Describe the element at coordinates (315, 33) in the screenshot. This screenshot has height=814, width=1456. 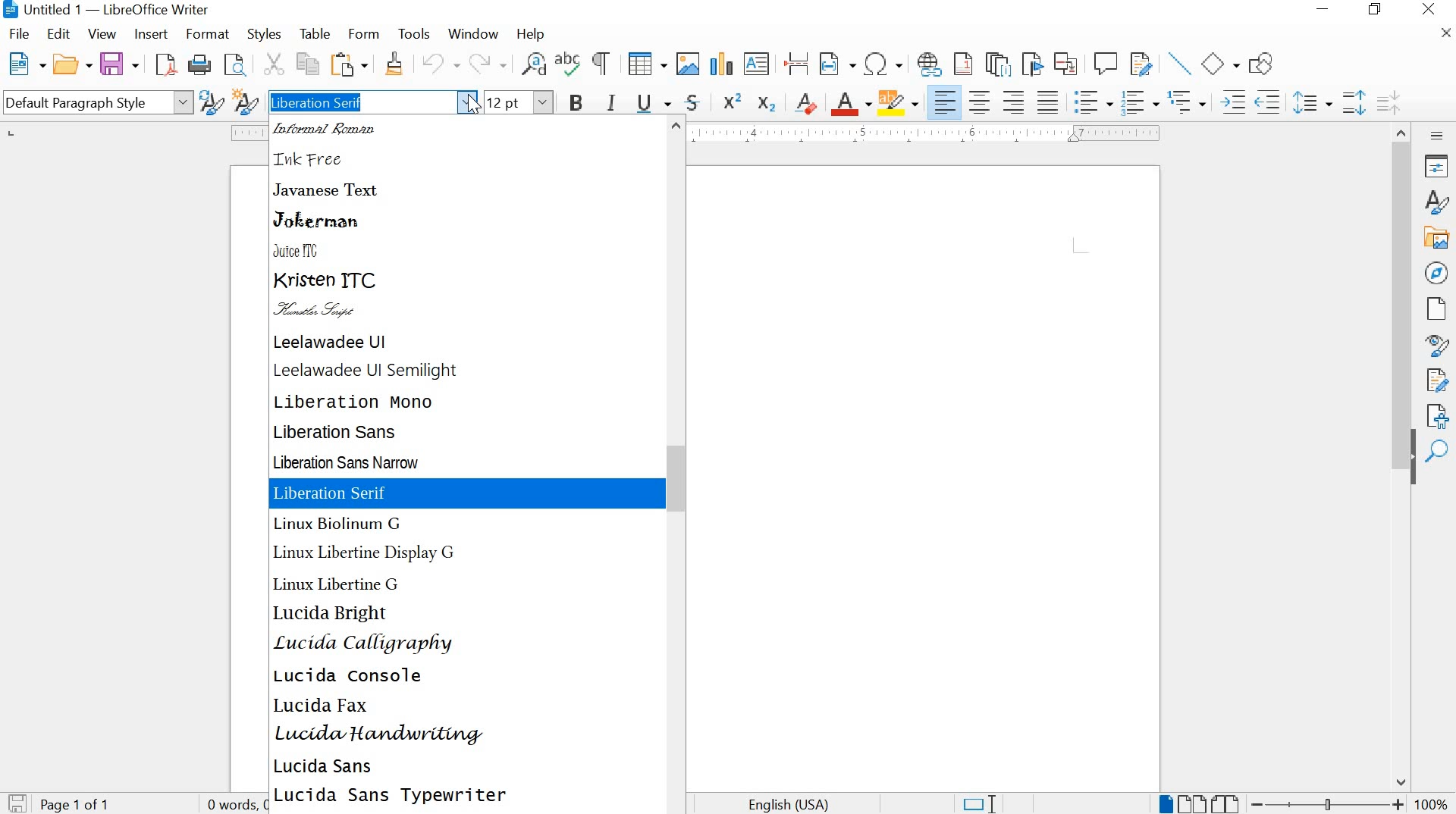
I see `TABLE` at that location.